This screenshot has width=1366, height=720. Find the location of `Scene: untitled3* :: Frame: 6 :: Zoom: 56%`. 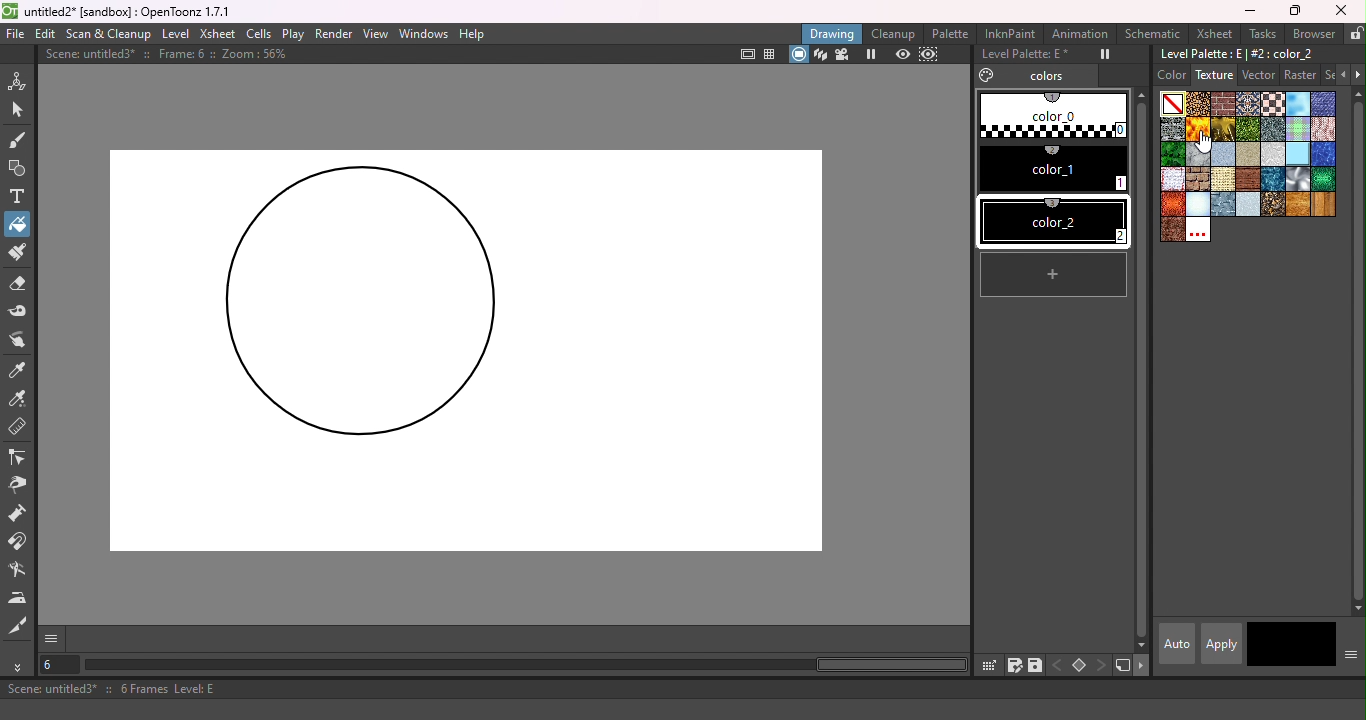

Scene: untitled3* :: Frame: 6 :: Zoom: 56% is located at coordinates (168, 54).